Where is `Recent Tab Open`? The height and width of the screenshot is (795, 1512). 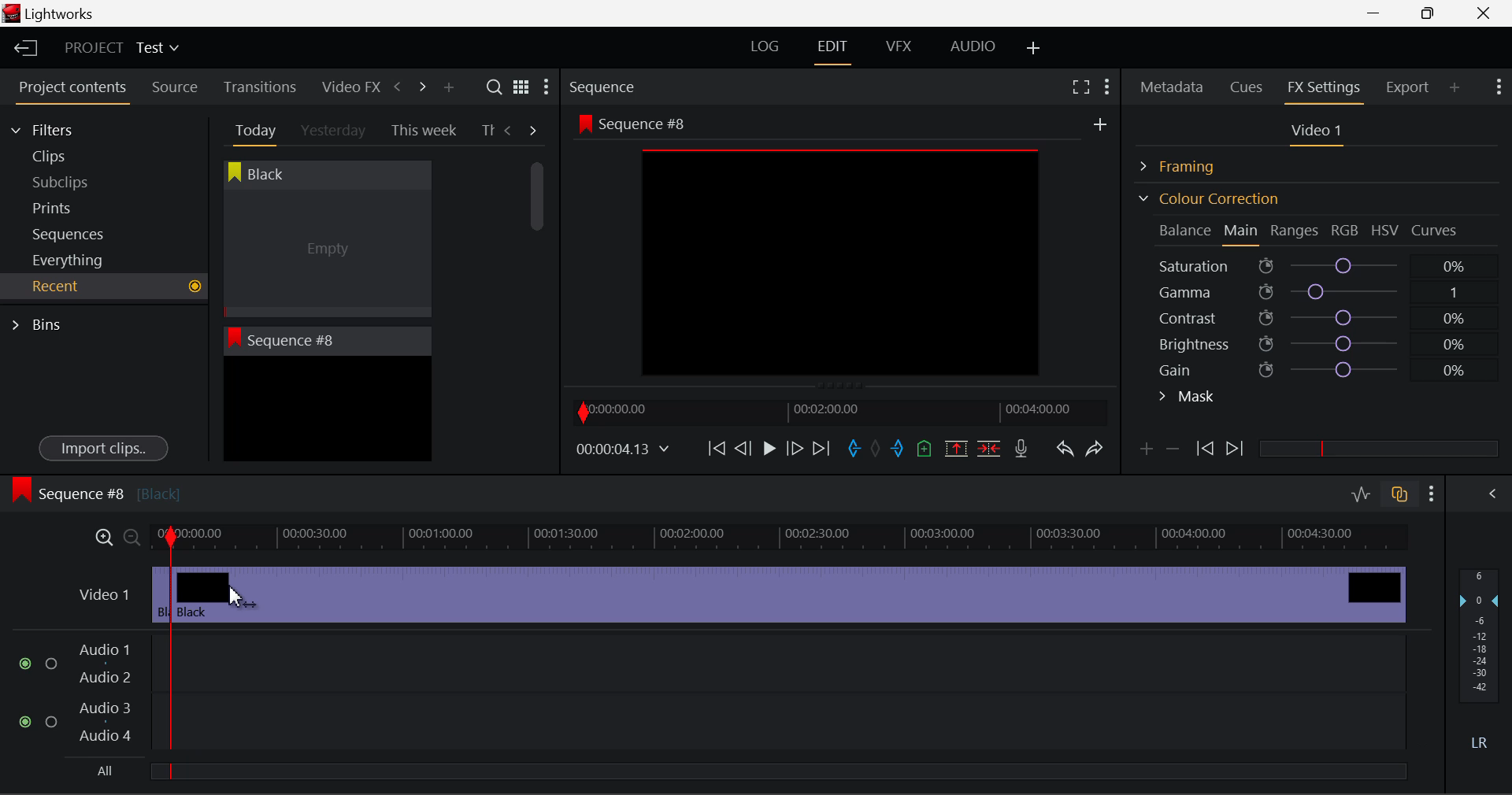 Recent Tab Open is located at coordinates (104, 287).